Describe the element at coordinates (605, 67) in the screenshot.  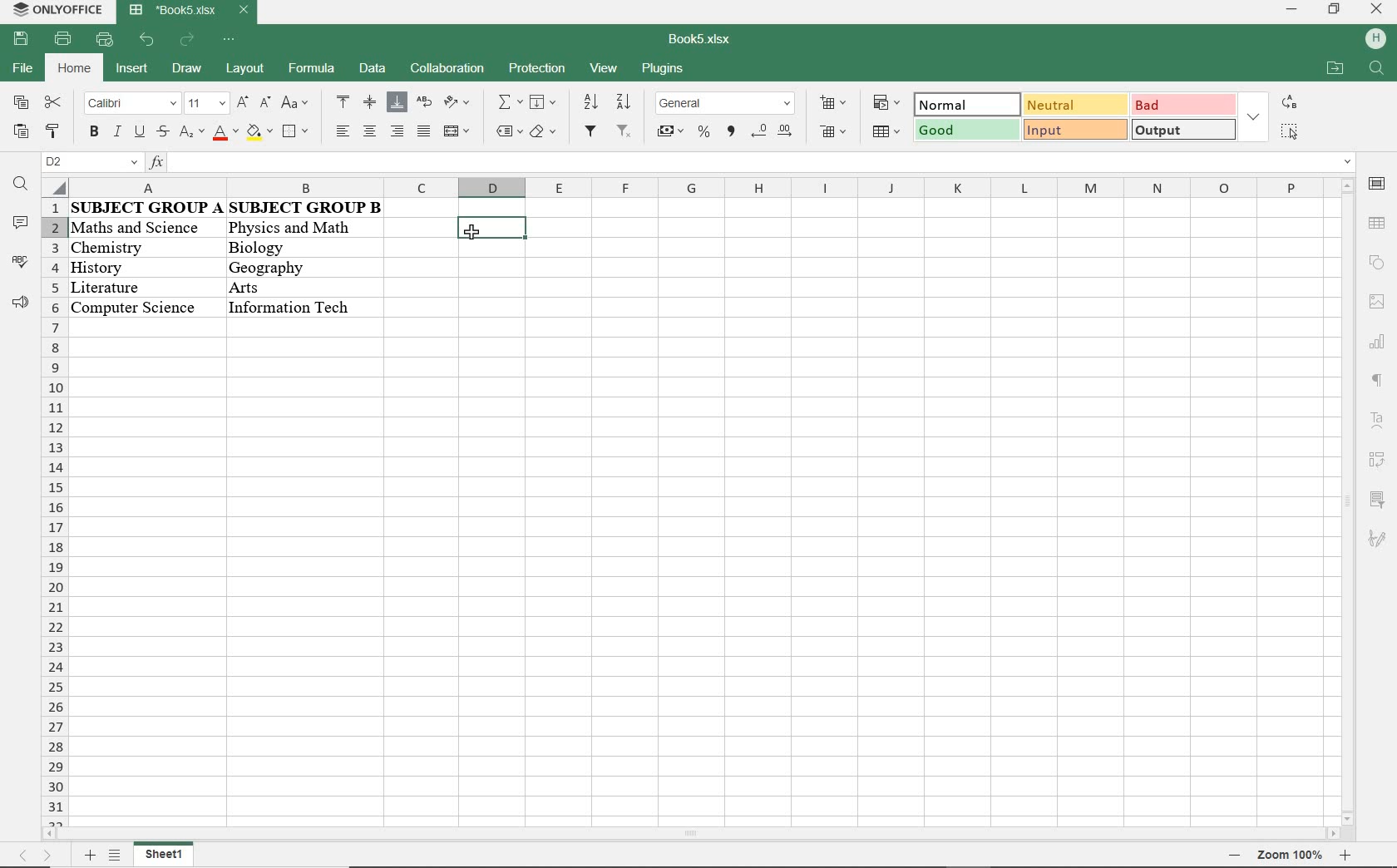
I see `view` at that location.